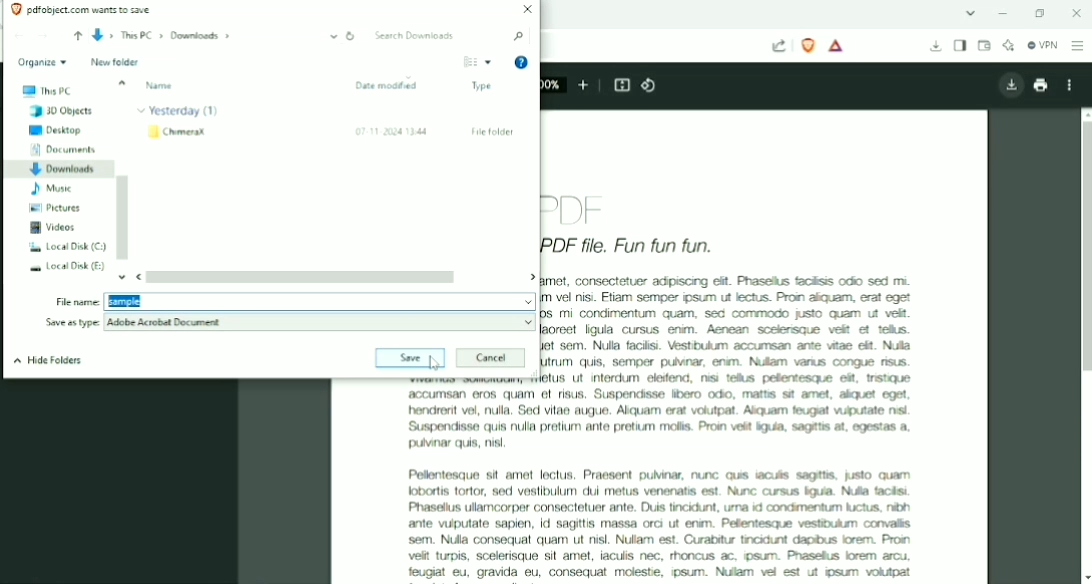 The width and height of the screenshot is (1092, 584). Describe the element at coordinates (43, 35) in the screenshot. I see `Forward` at that location.